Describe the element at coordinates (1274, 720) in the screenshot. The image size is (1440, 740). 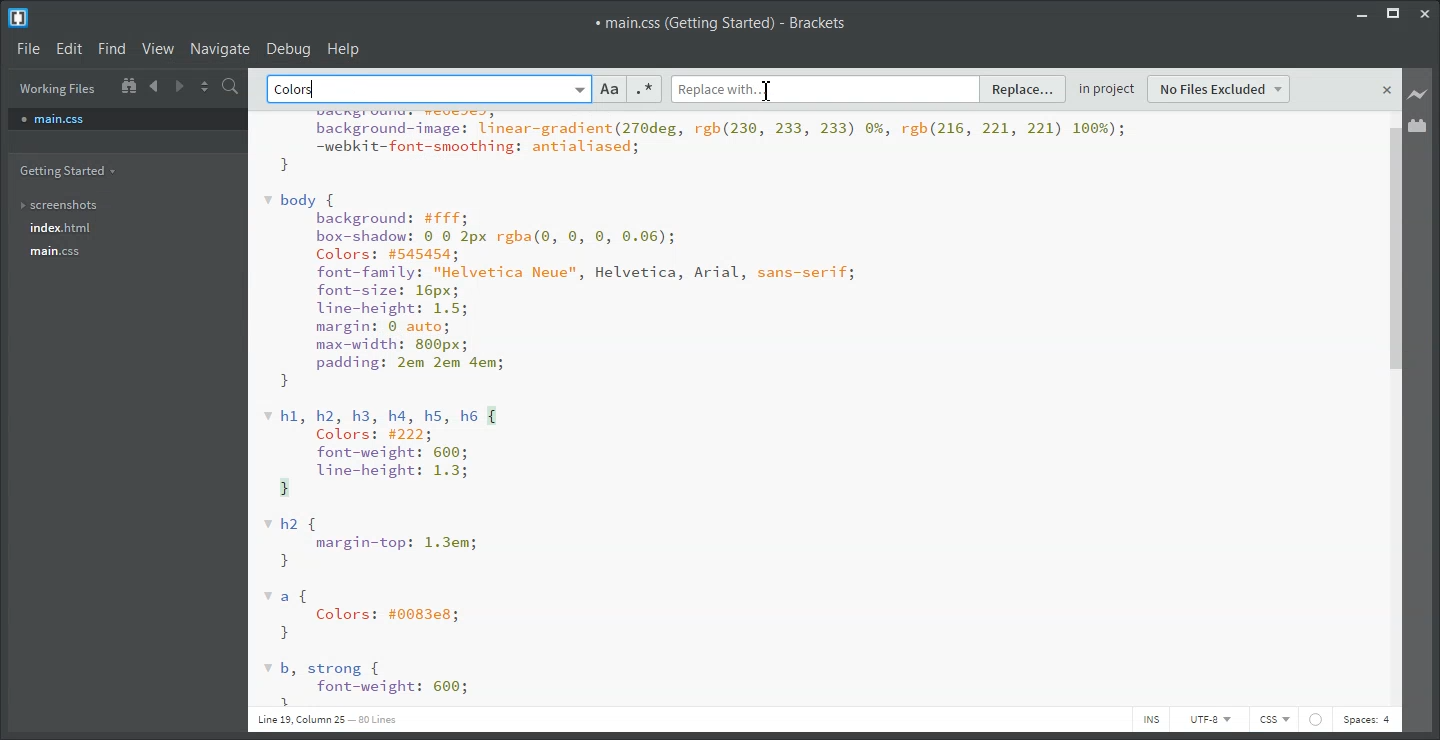
I see `CSS` at that location.